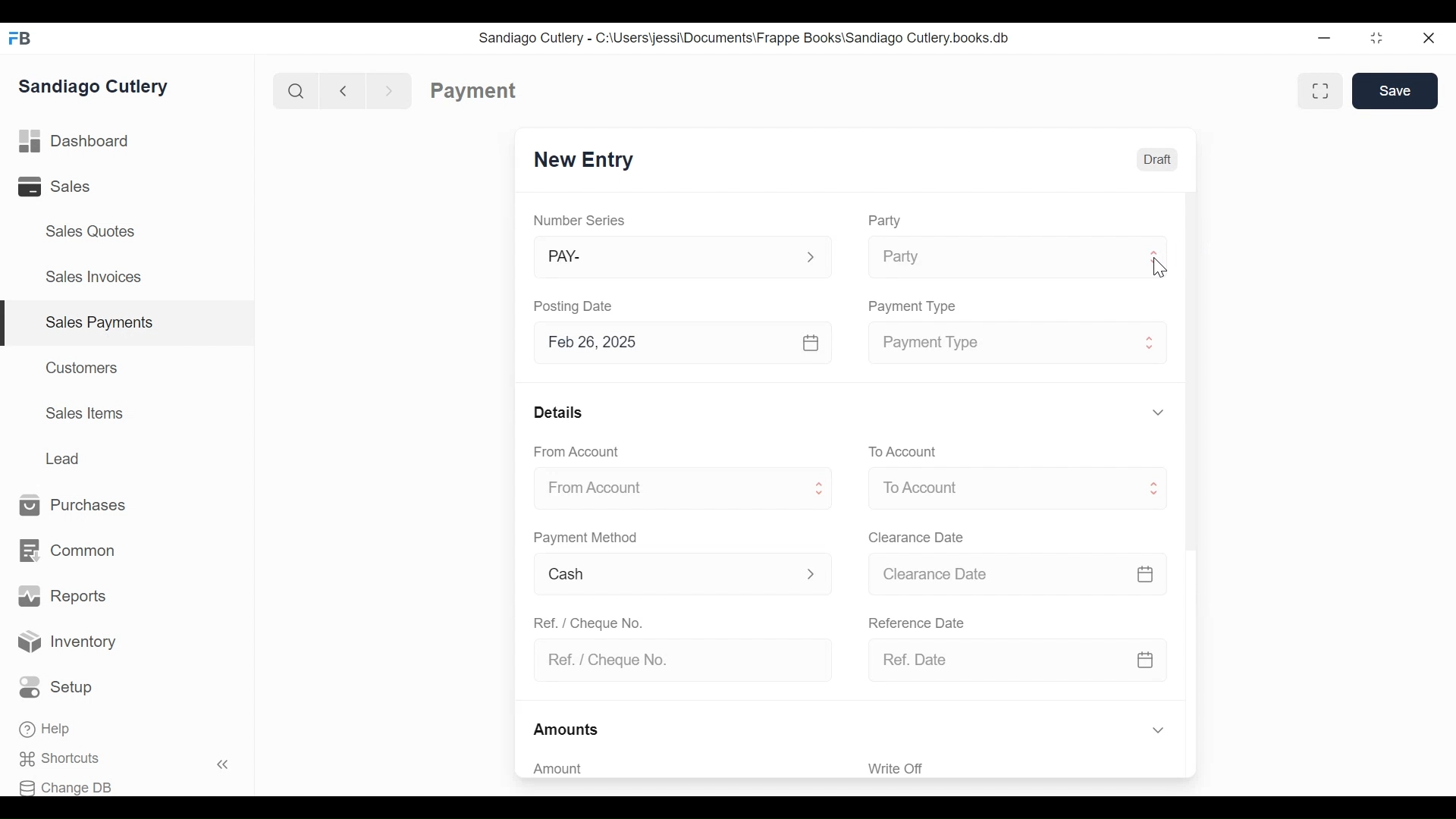  I want to click on Payment, so click(474, 91).